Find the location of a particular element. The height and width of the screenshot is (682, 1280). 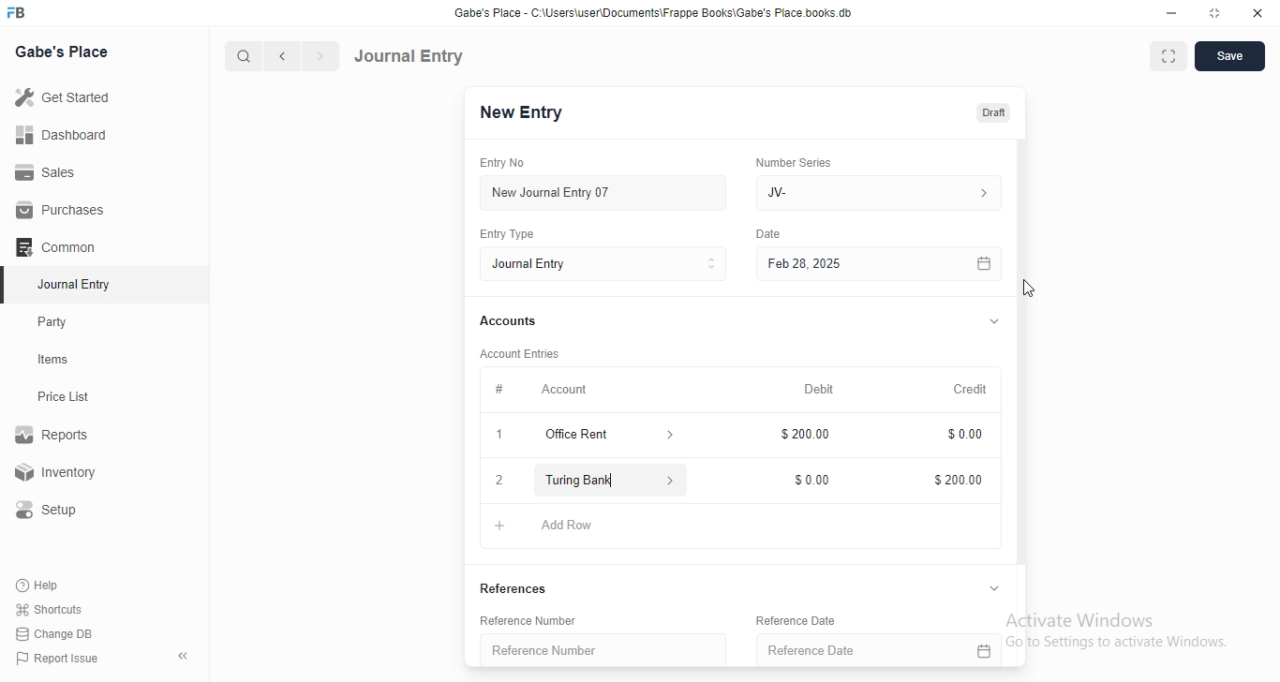

Dashboard is located at coordinates (59, 135).